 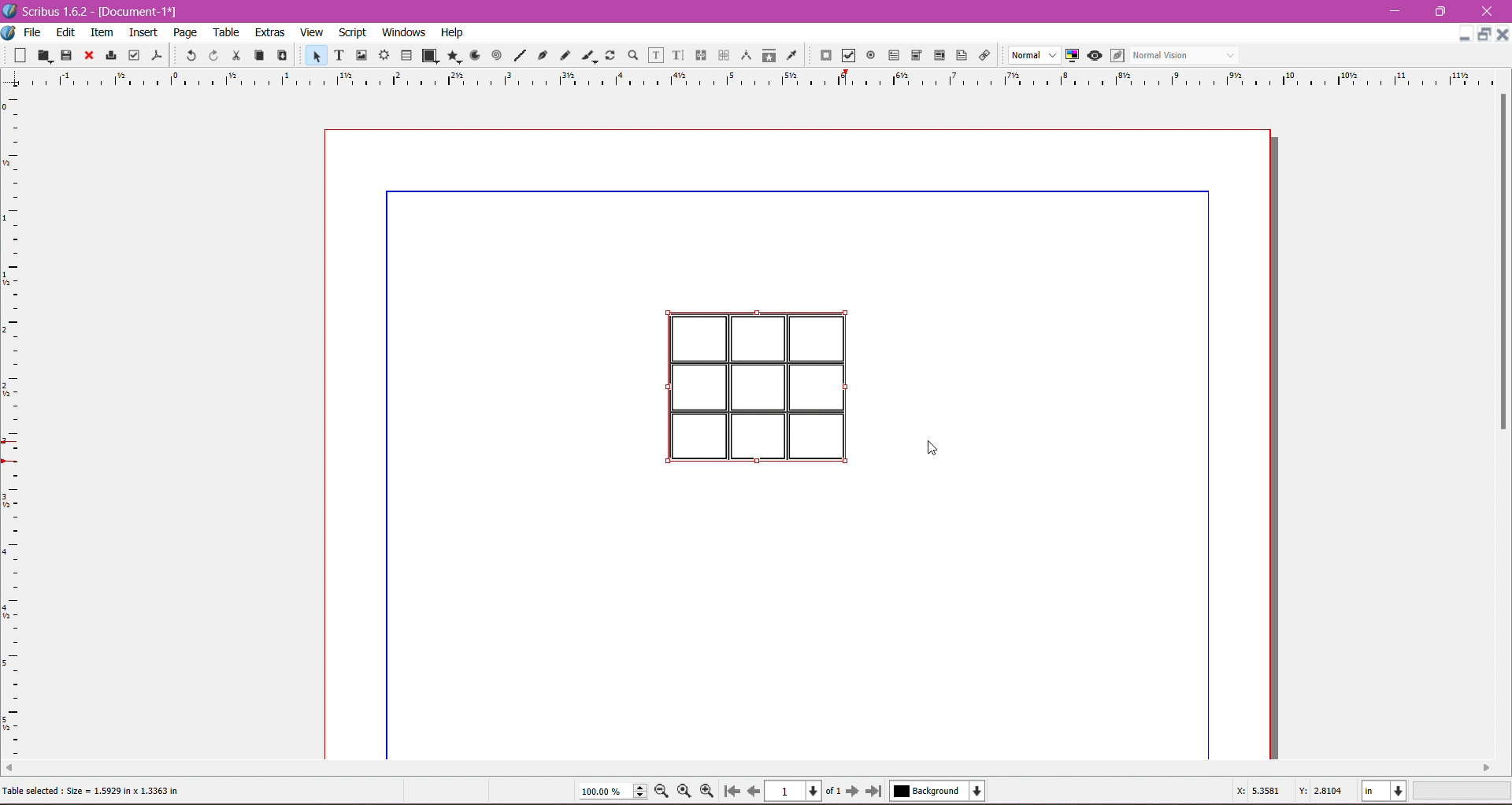 I want to click on Insert a table (A), so click(x=100, y=790).